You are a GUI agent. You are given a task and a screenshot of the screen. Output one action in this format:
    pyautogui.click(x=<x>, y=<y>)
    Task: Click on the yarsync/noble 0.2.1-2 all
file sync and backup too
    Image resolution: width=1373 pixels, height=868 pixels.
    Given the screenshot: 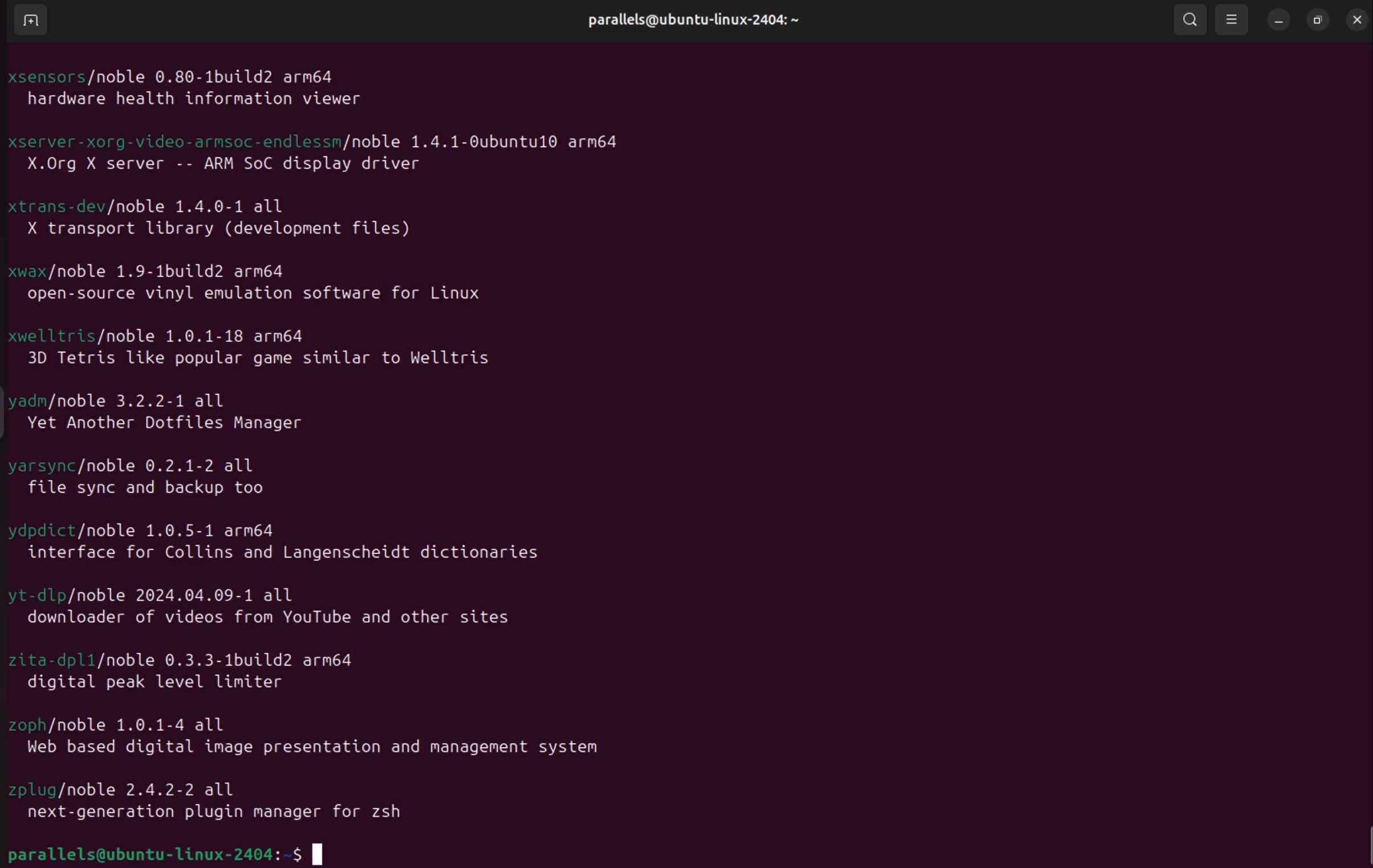 What is the action you would take?
    pyautogui.click(x=140, y=475)
    